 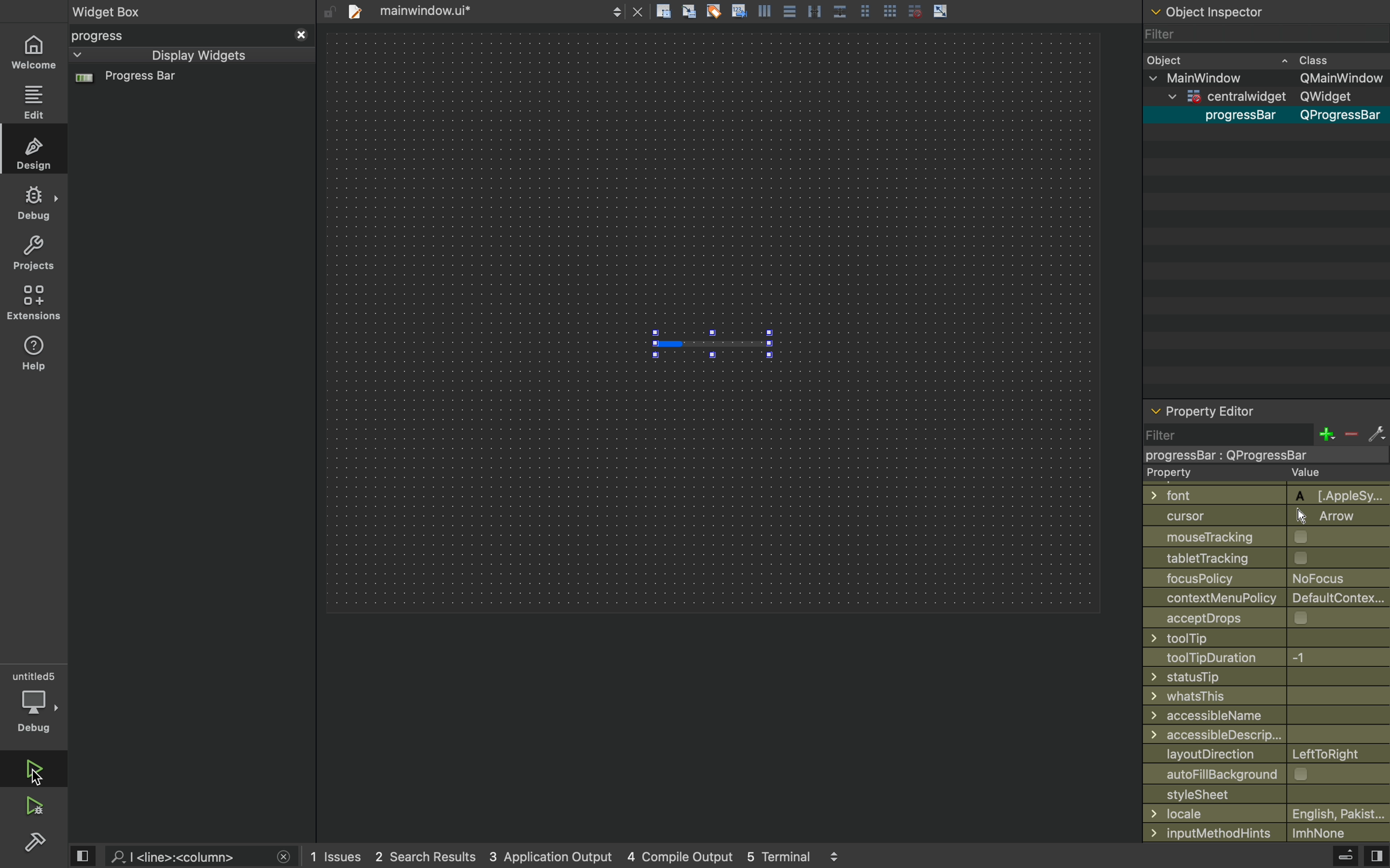 What do you see at coordinates (29, 769) in the screenshot?
I see `run` at bounding box center [29, 769].